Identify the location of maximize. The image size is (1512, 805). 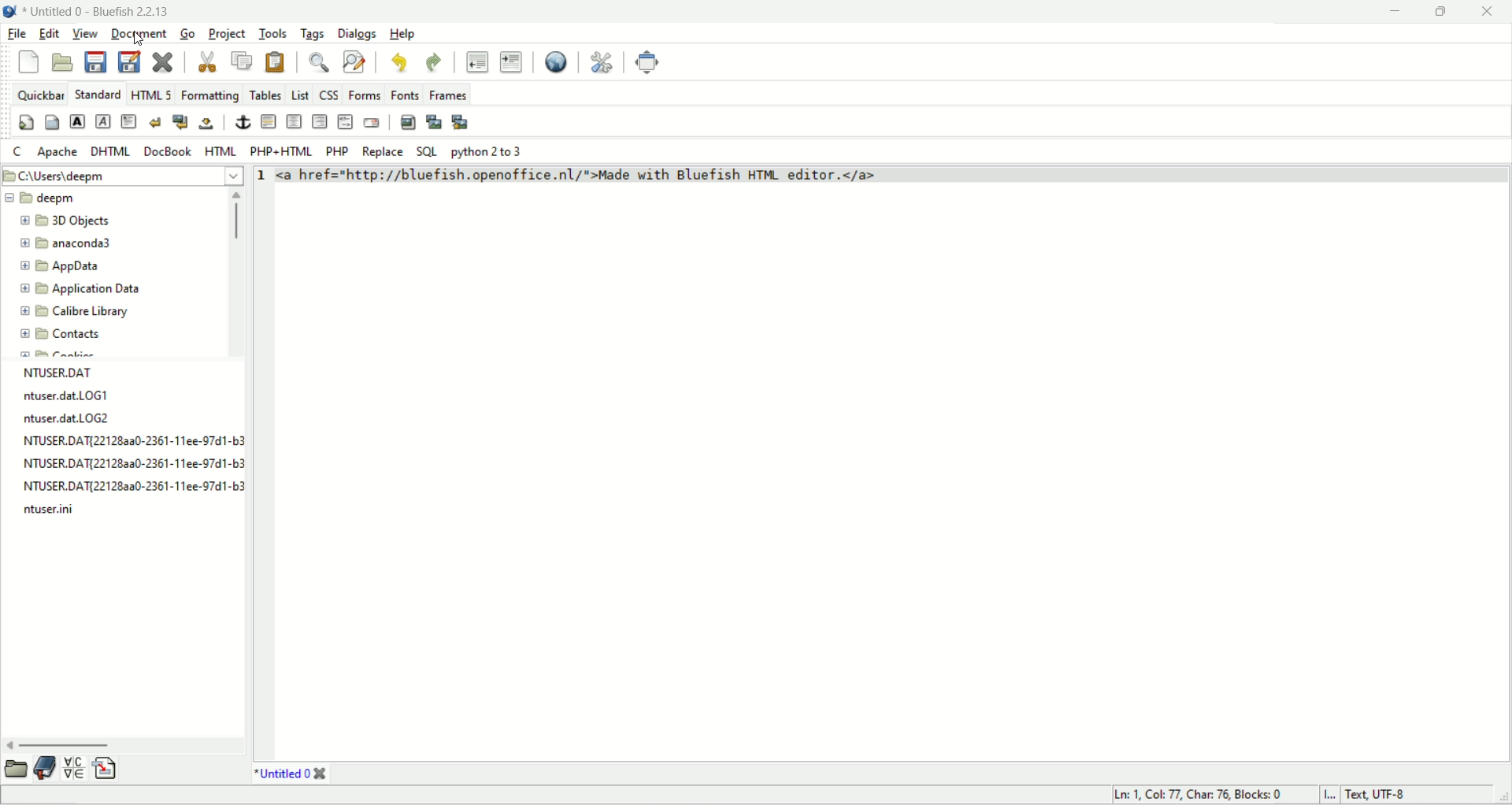
(1439, 12).